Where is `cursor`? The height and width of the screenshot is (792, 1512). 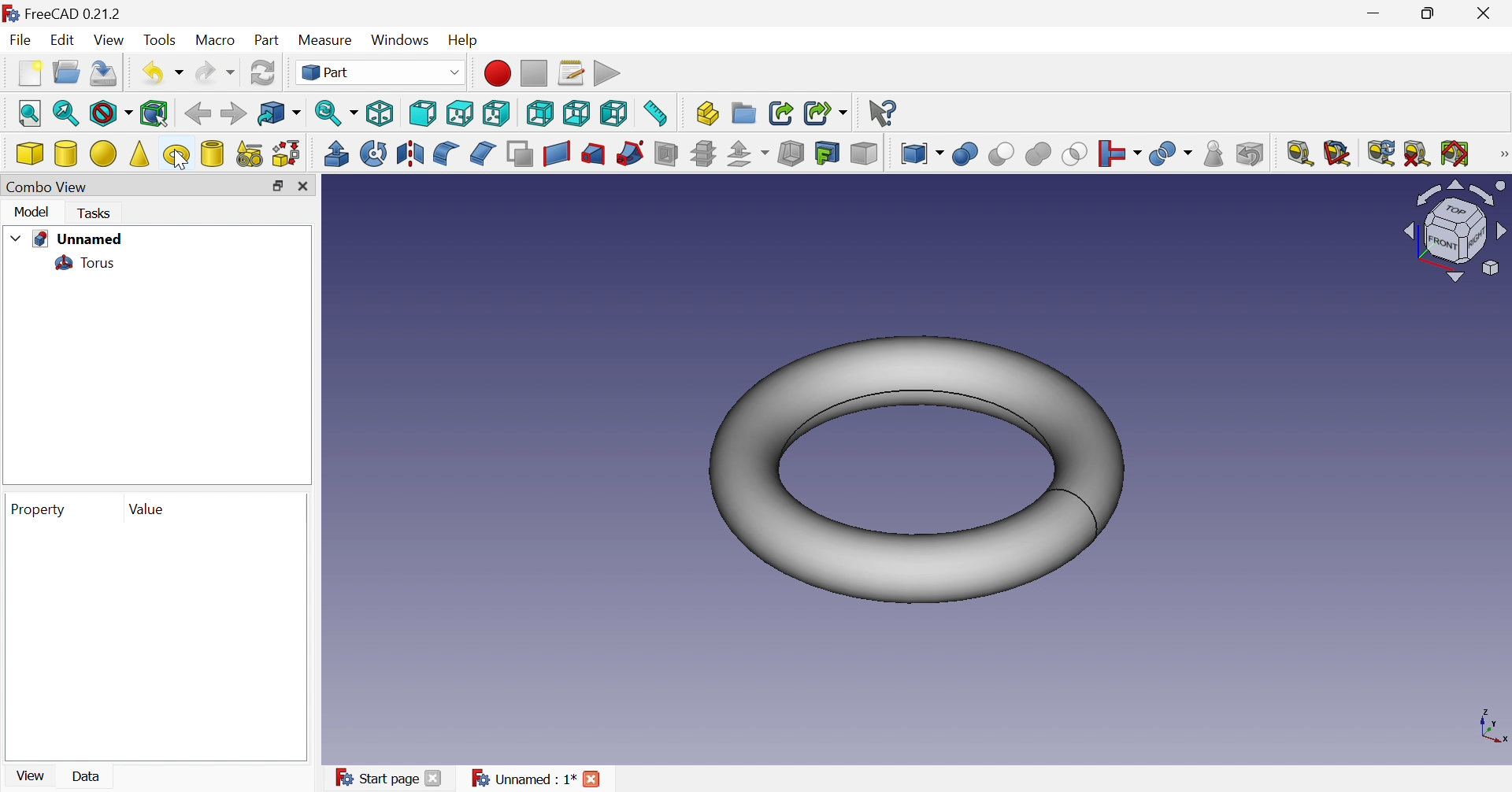
cursor is located at coordinates (180, 161).